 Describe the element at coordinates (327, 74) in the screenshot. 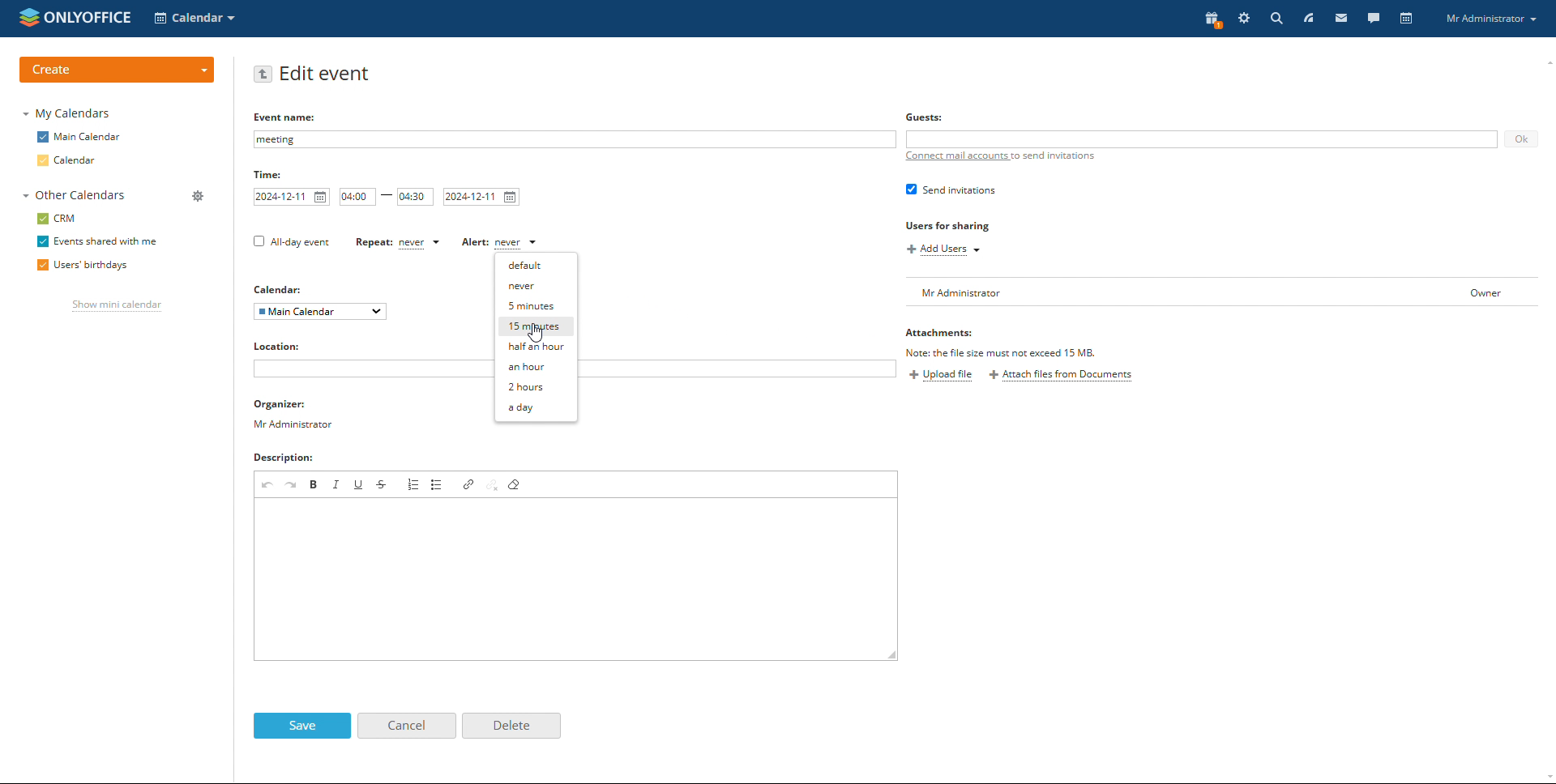

I see `edit event` at that location.